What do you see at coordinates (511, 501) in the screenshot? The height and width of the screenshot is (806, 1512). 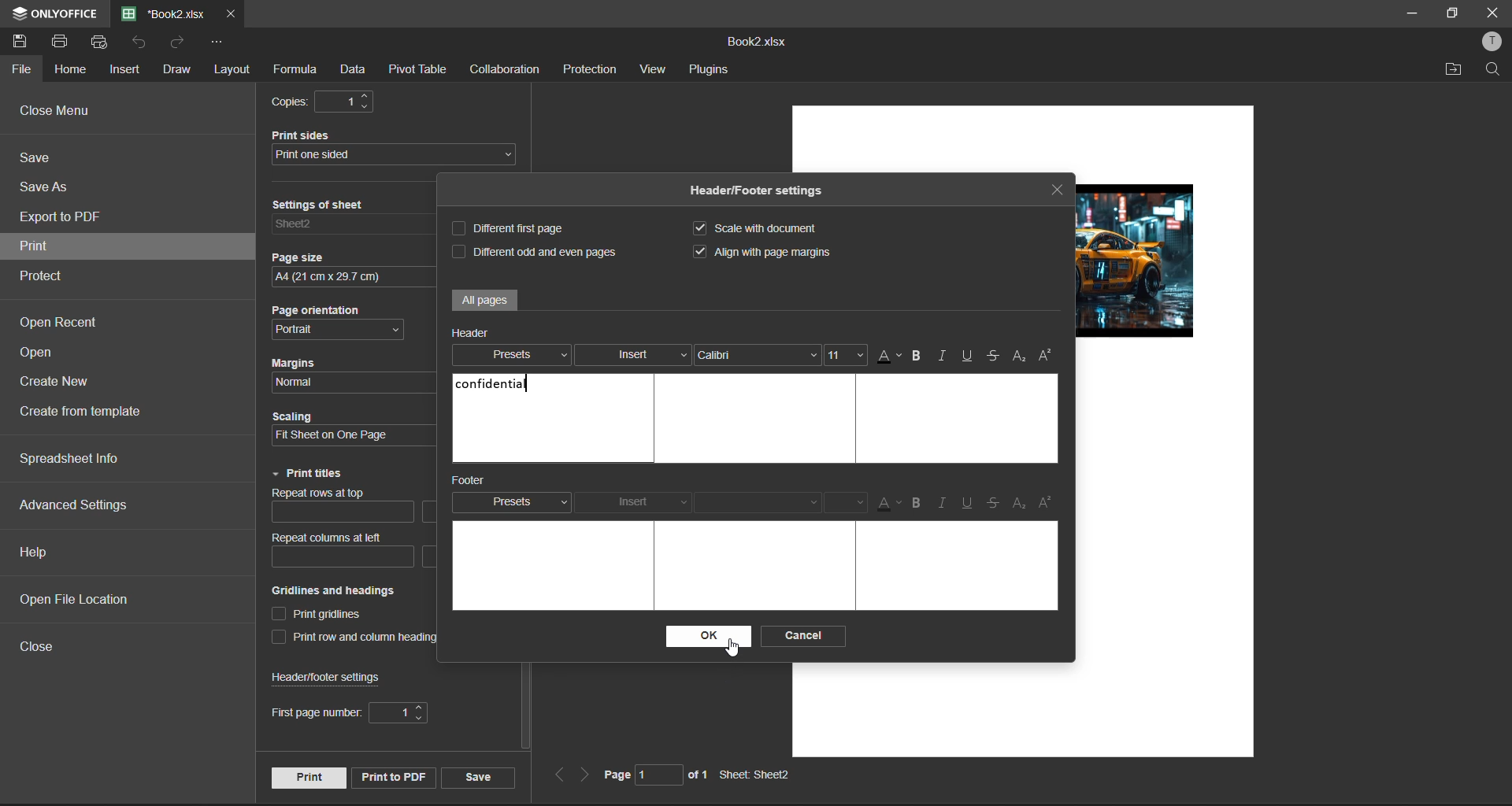 I see `presets` at bounding box center [511, 501].